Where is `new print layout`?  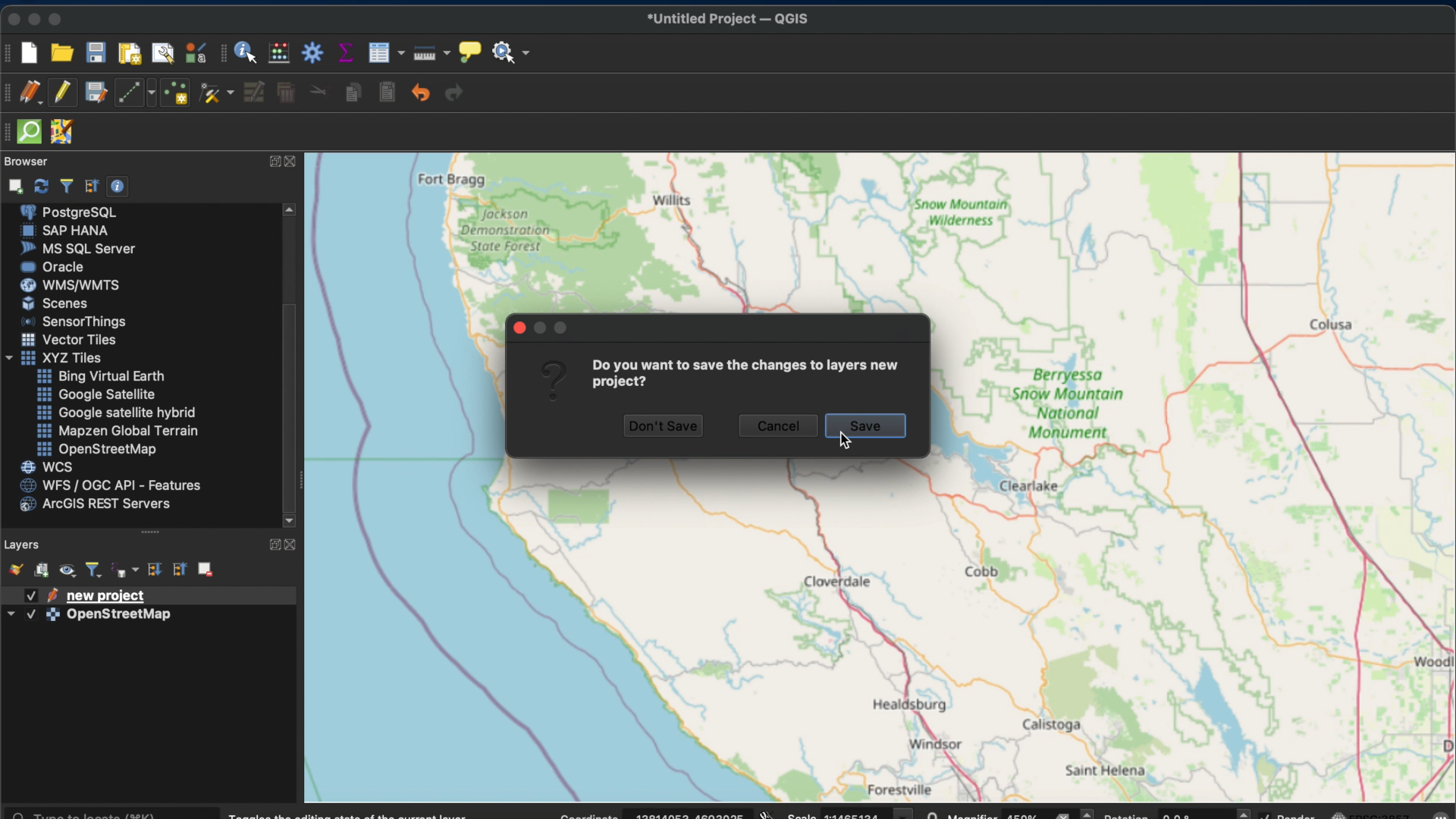 new print layout is located at coordinates (130, 52).